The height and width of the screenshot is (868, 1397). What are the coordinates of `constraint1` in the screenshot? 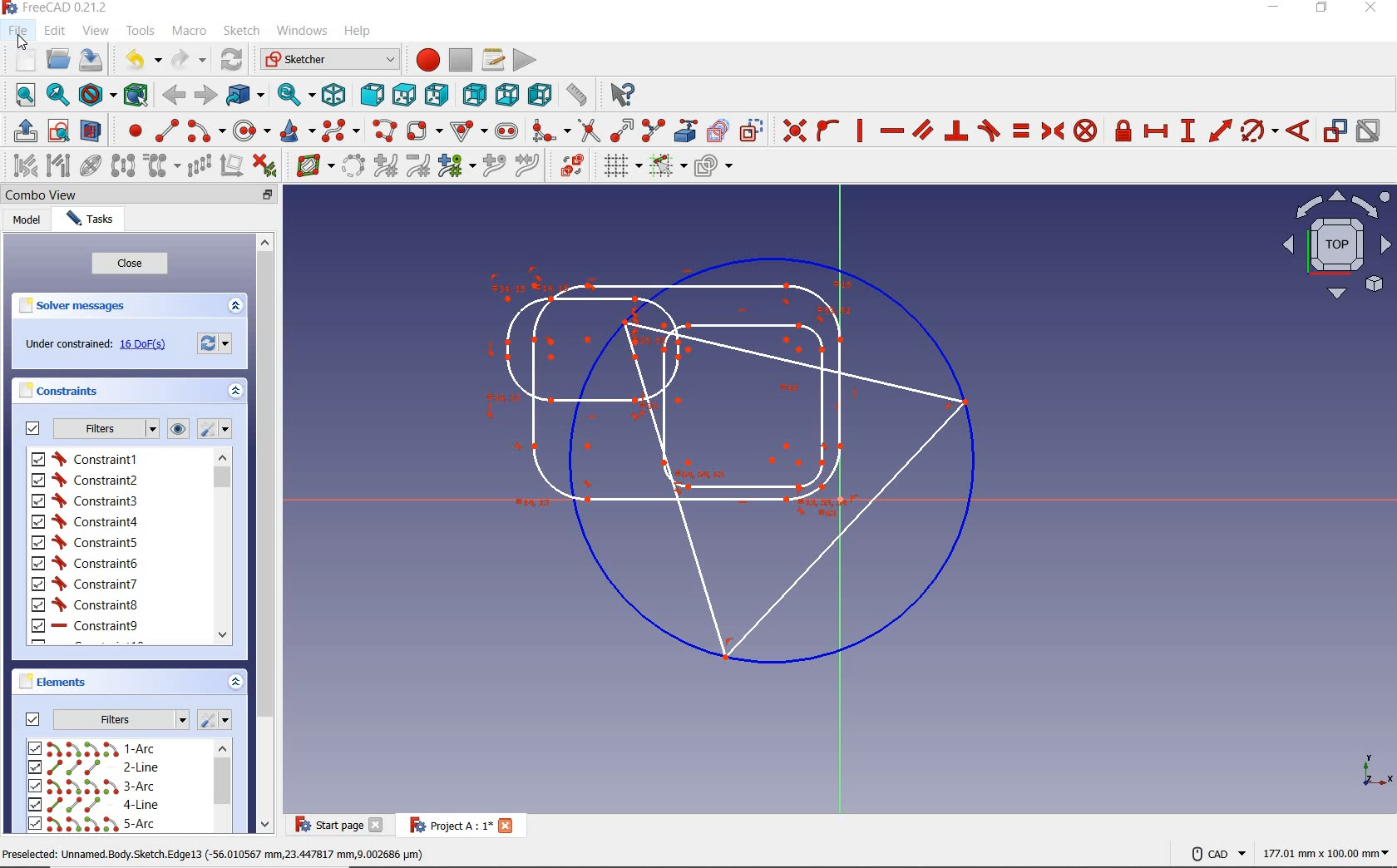 It's located at (89, 459).